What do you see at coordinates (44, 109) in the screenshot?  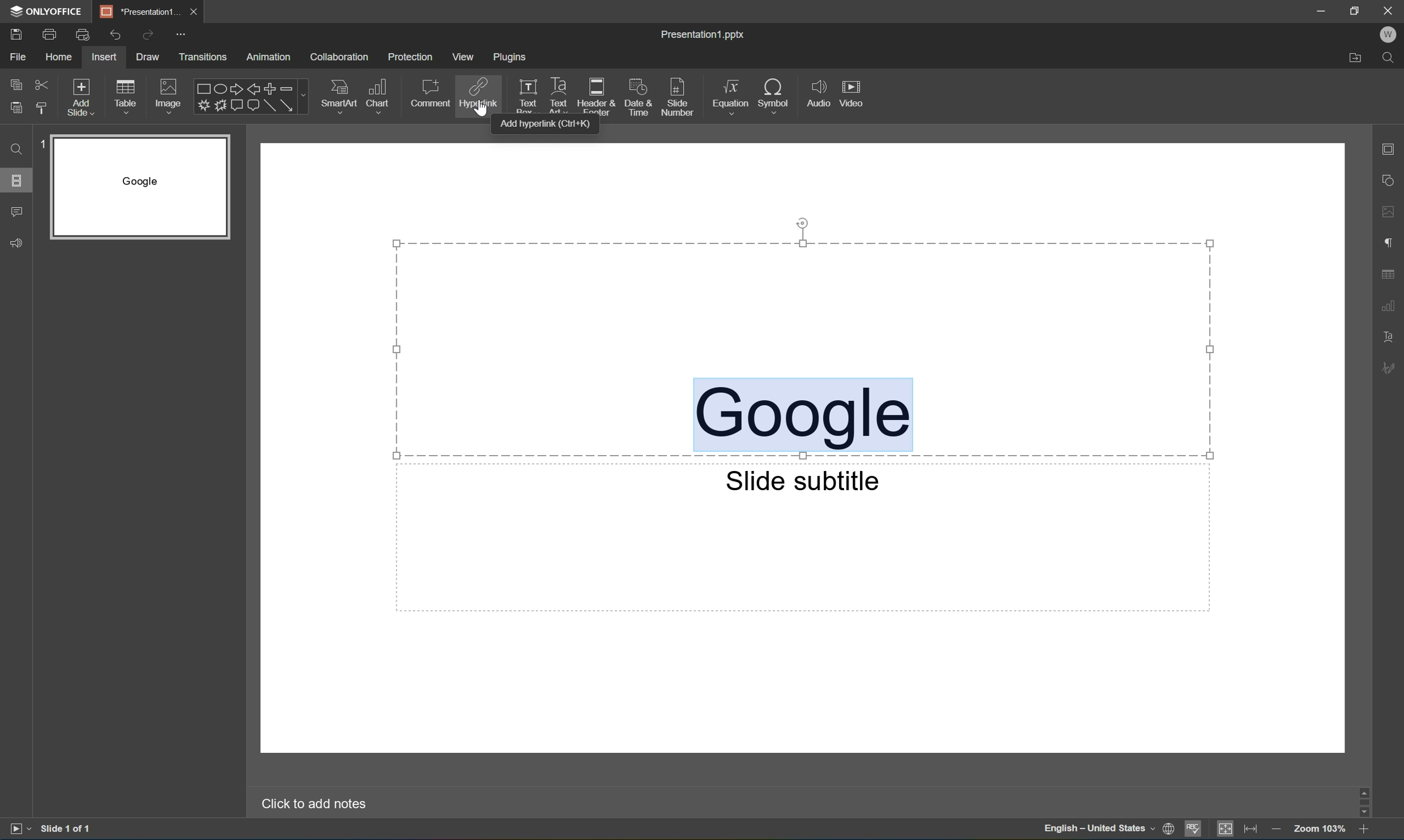 I see `Copy style` at bounding box center [44, 109].